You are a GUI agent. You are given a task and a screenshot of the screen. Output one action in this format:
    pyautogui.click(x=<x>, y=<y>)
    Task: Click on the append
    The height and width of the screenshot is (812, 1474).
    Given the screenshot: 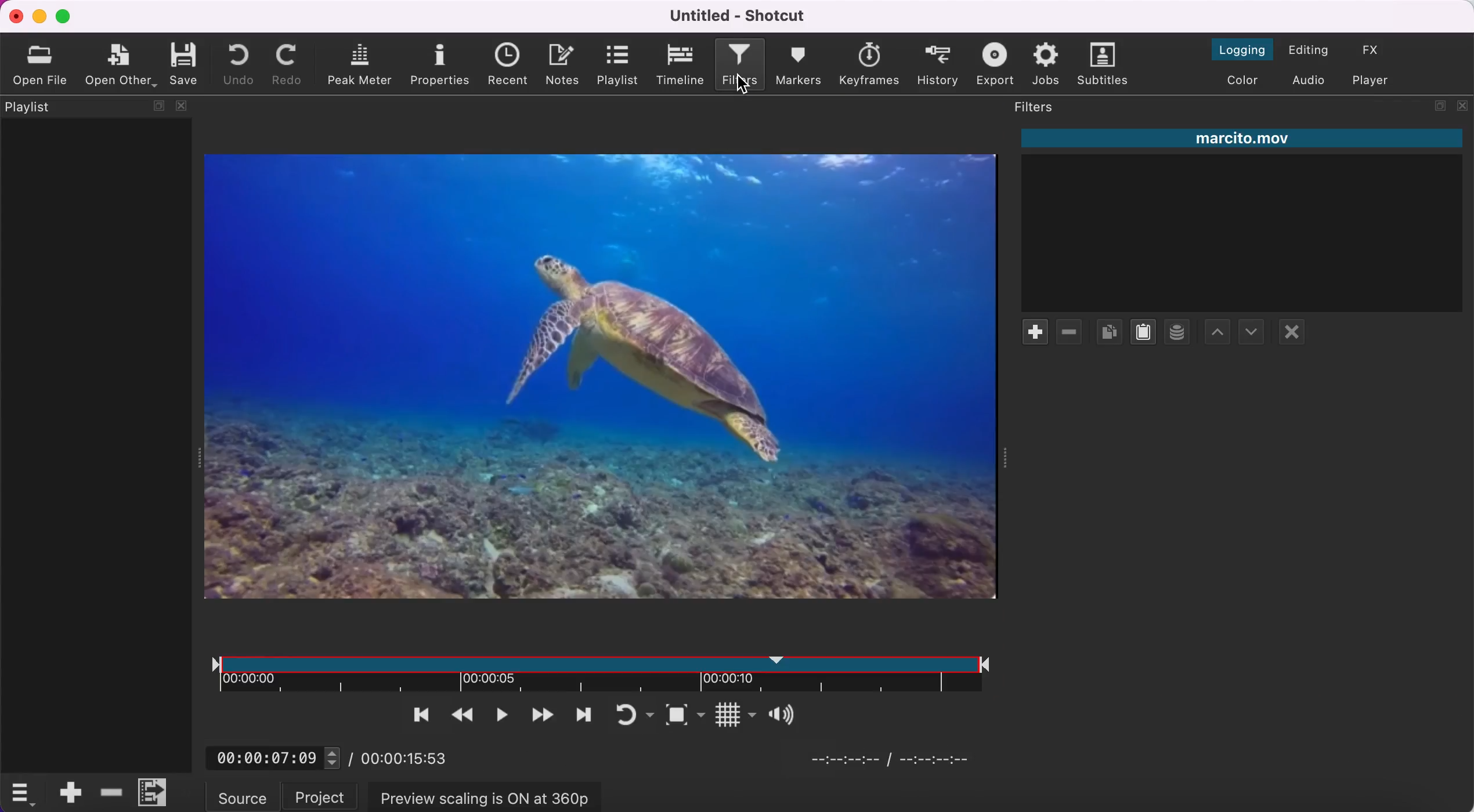 What is the action you would take?
    pyautogui.click(x=68, y=792)
    